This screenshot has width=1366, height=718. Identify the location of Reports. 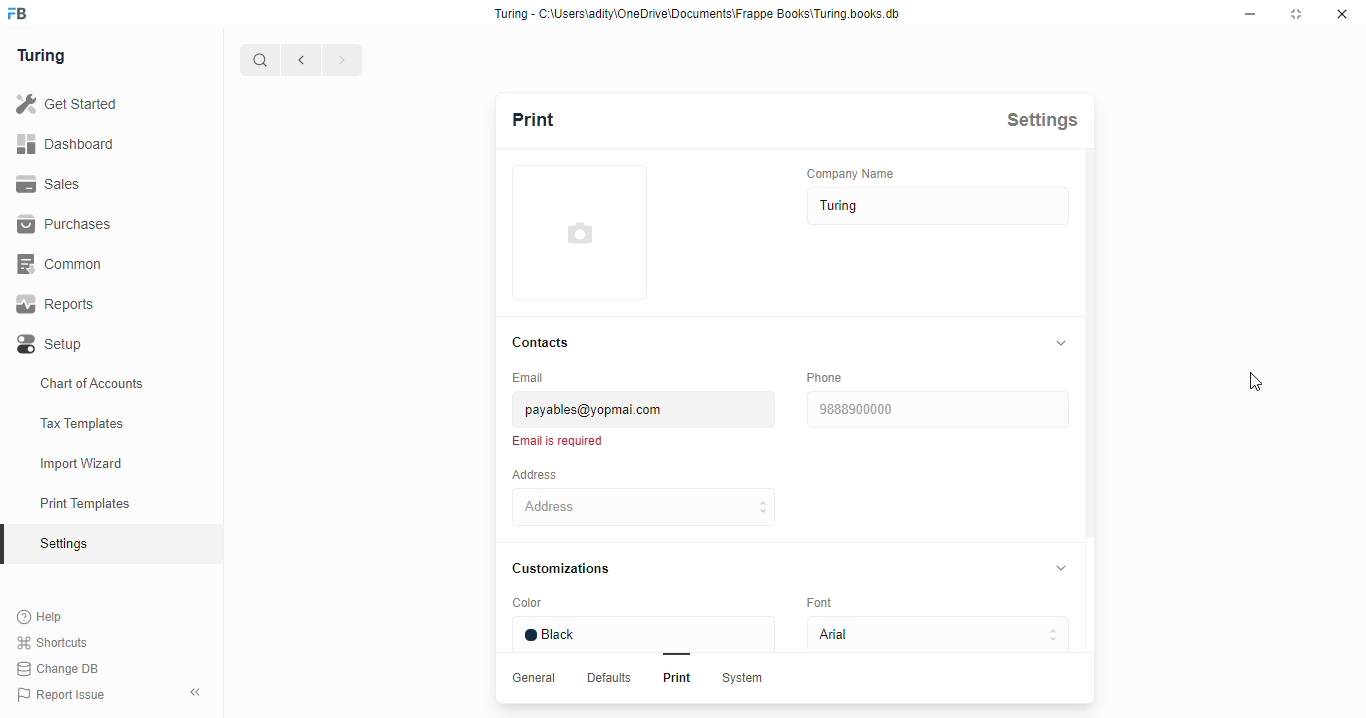
(63, 305).